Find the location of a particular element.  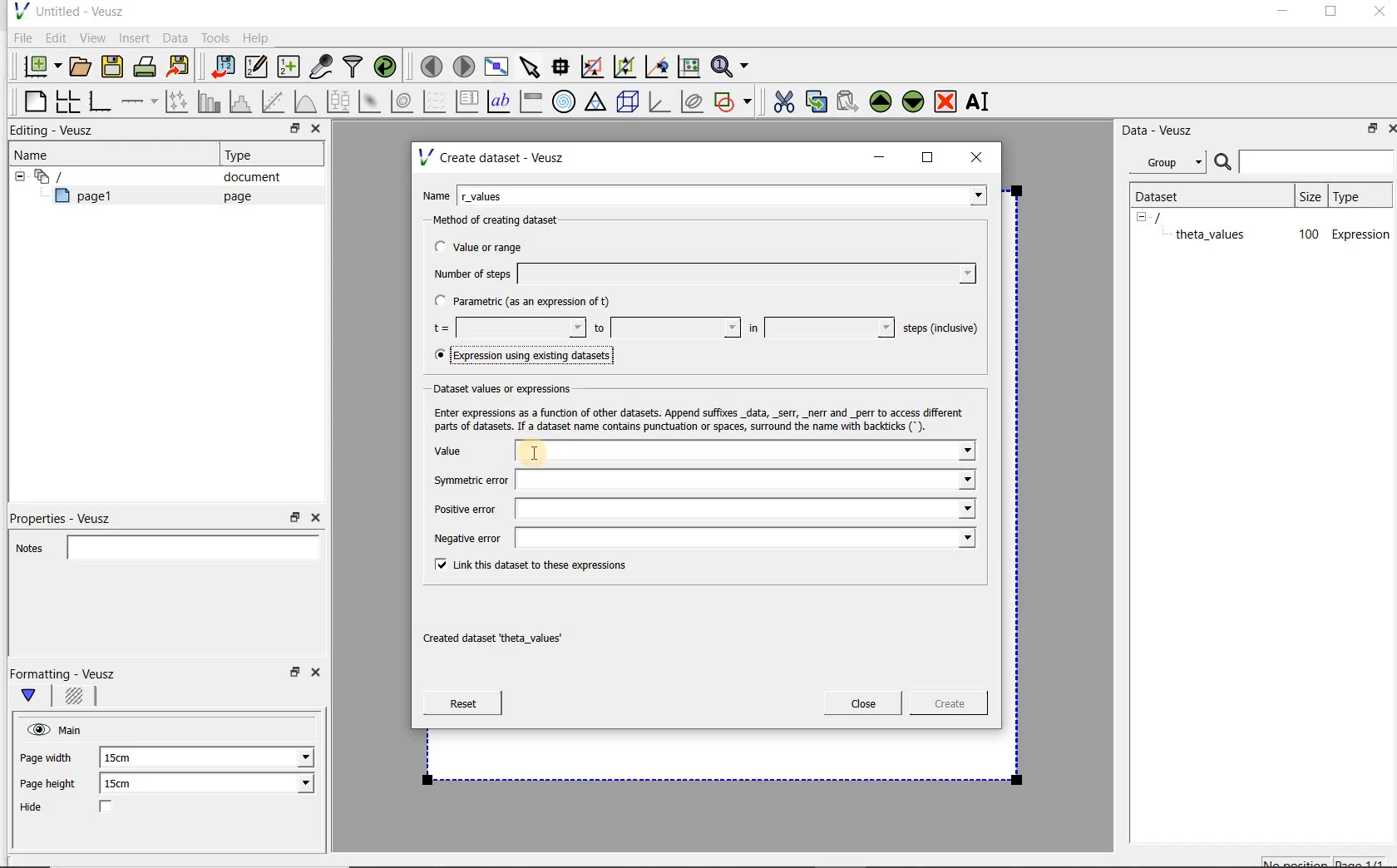

Dataset is located at coordinates (1166, 195).